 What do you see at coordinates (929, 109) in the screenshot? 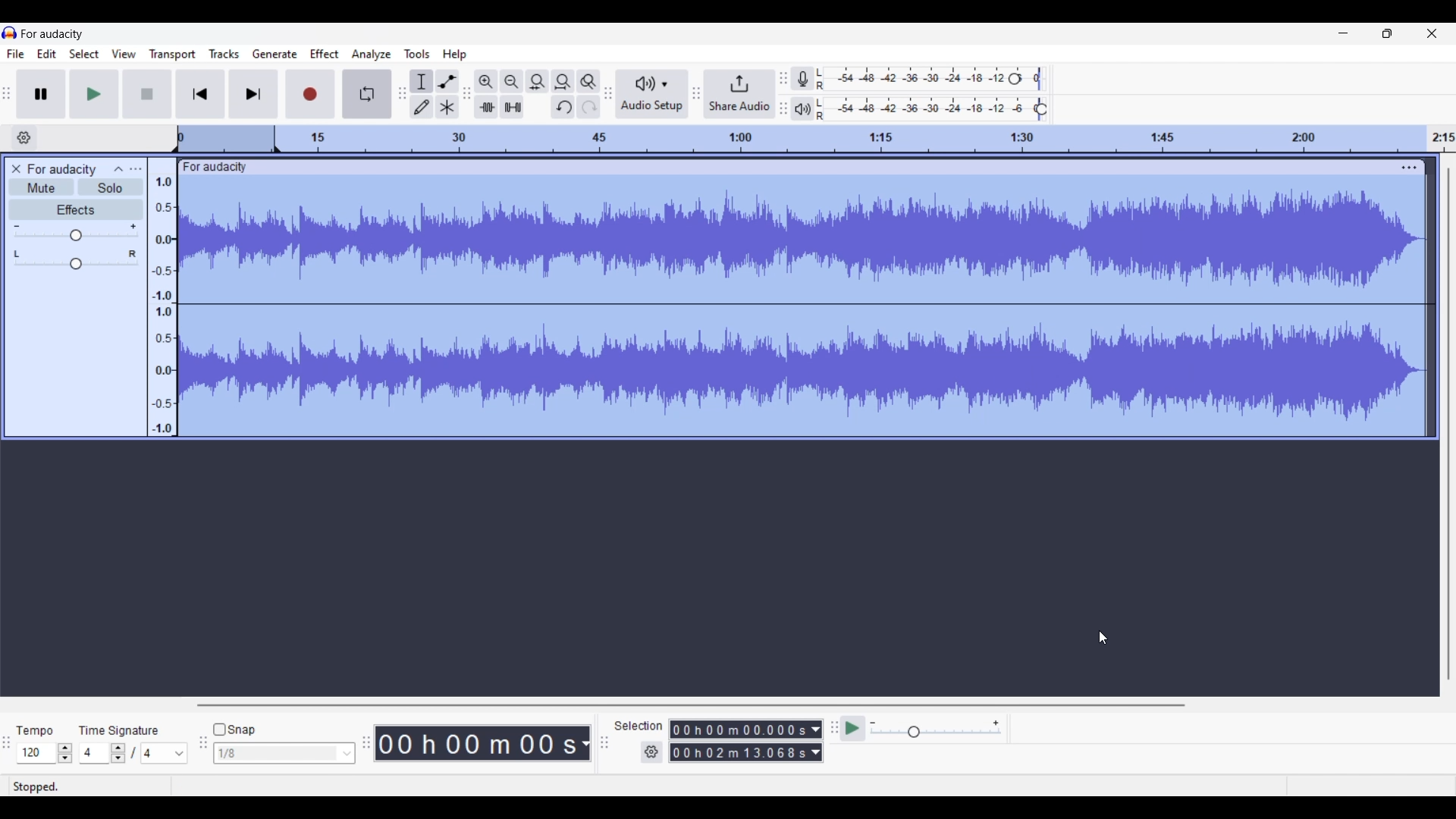
I see `Playback level` at bounding box center [929, 109].